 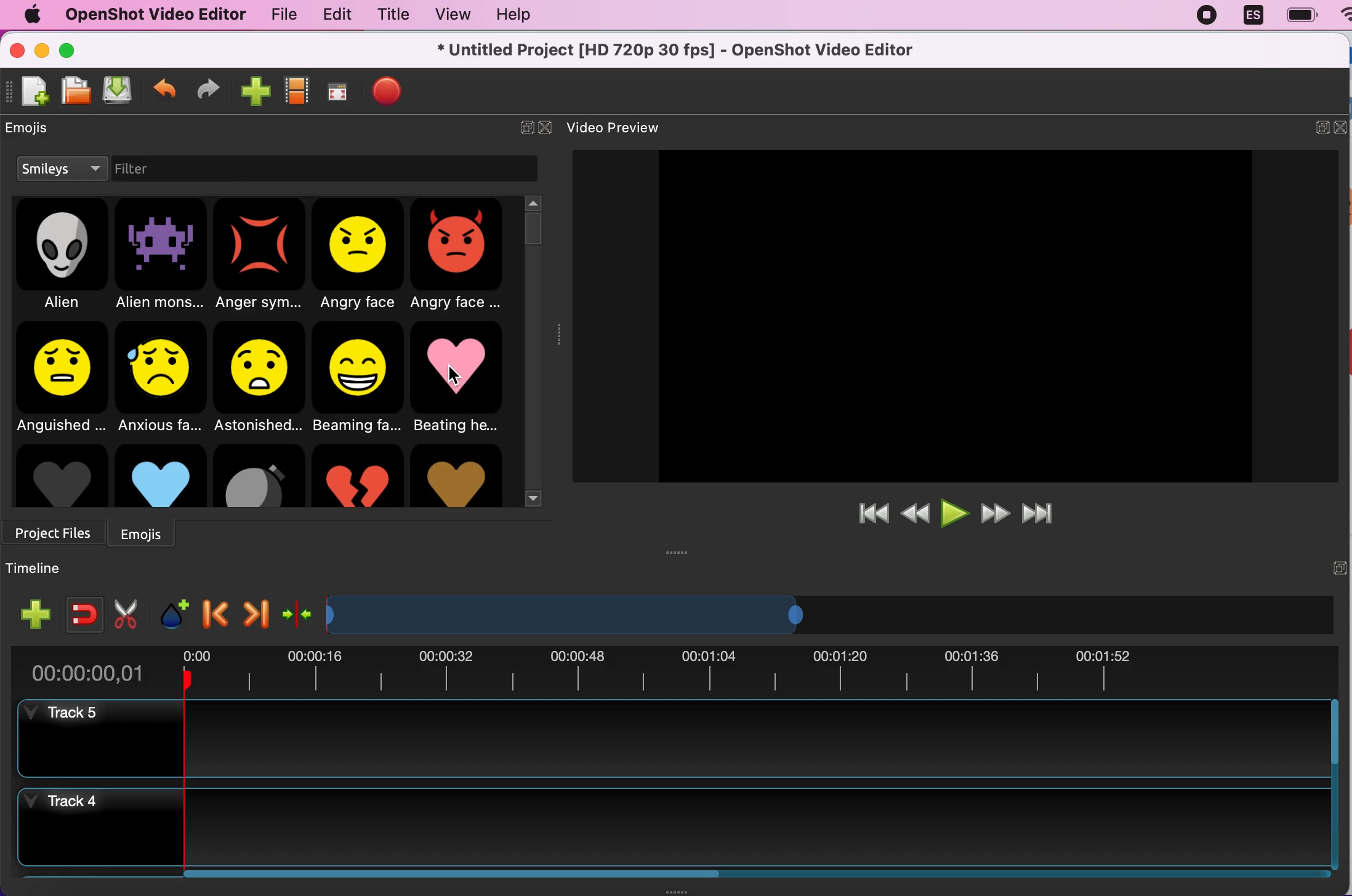 I want to click on next marker, so click(x=254, y=611).